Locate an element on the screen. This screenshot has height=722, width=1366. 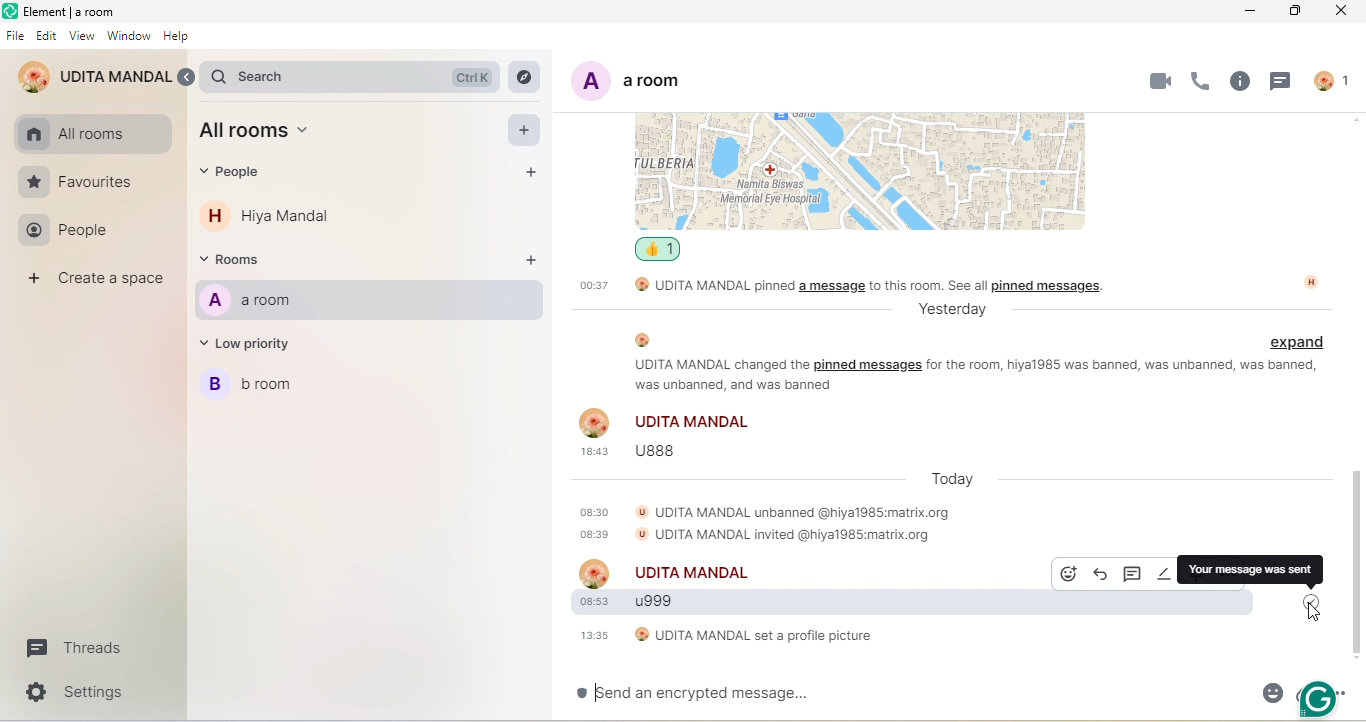
Element | a room is located at coordinates (70, 11).